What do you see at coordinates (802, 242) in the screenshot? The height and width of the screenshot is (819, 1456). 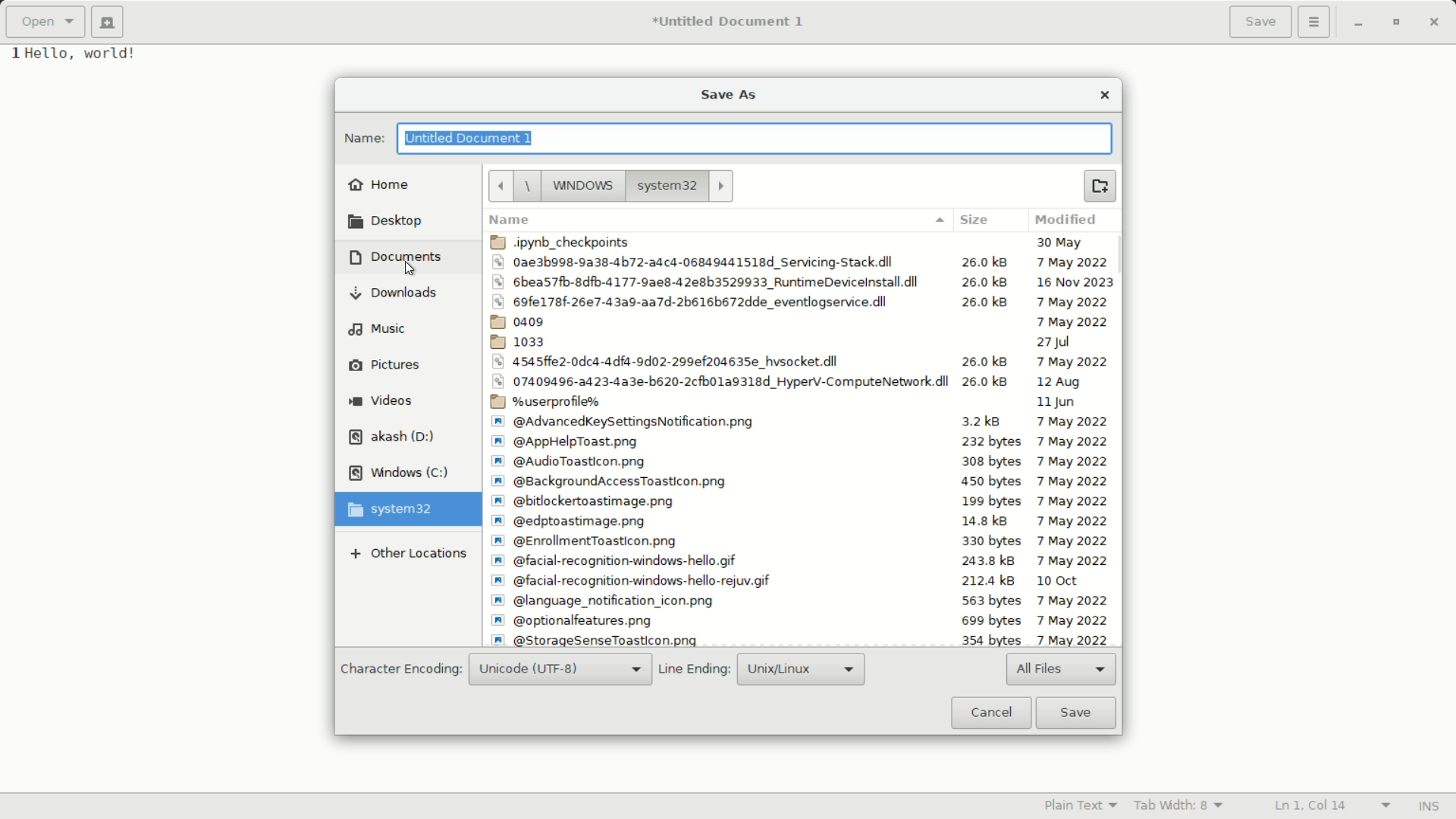 I see `.ipynb_checkpoints 30 May` at bounding box center [802, 242].